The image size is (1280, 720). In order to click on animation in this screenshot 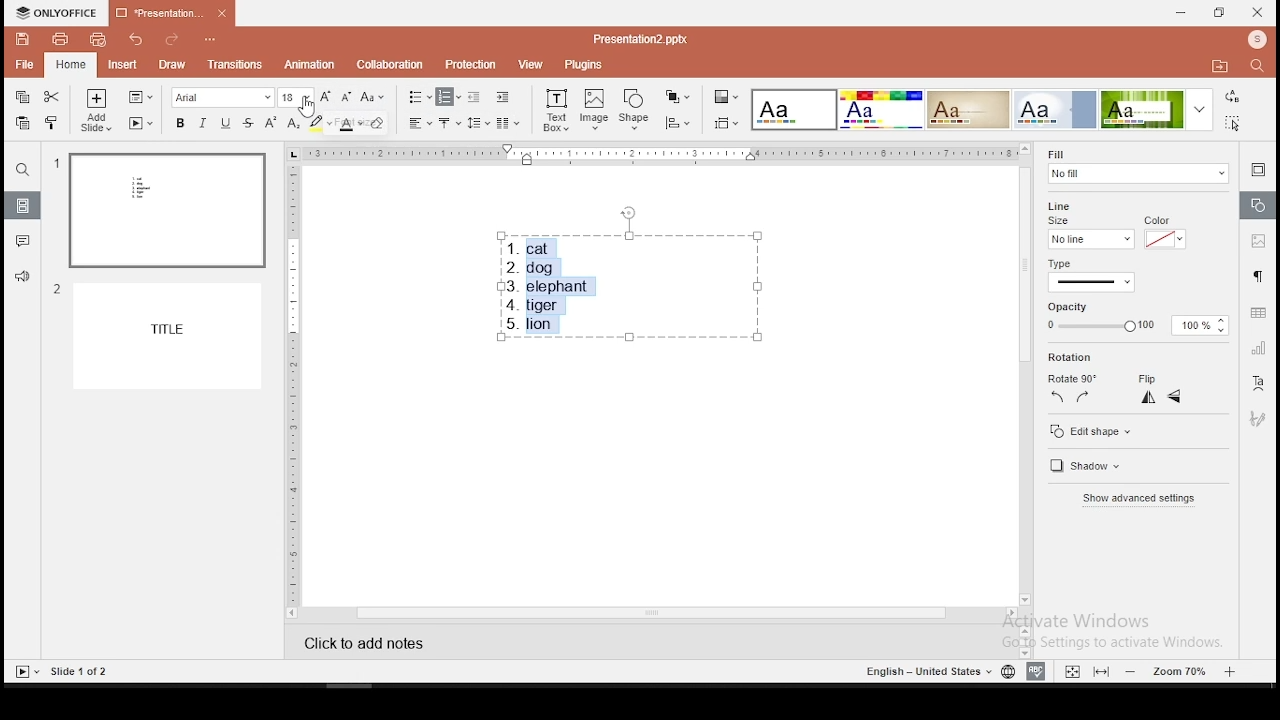, I will do `click(308, 64)`.